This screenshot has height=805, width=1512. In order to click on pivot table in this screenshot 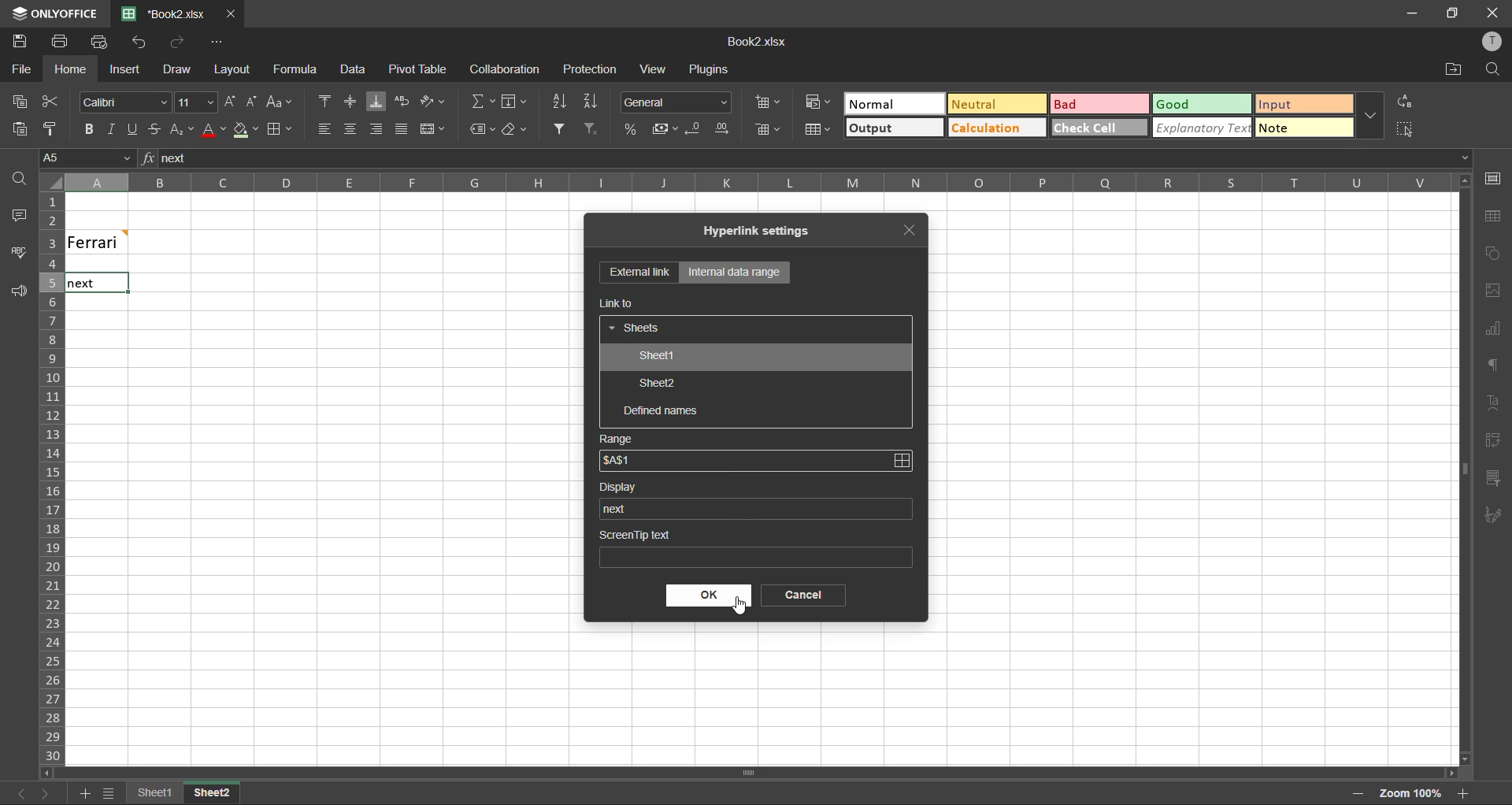, I will do `click(418, 70)`.